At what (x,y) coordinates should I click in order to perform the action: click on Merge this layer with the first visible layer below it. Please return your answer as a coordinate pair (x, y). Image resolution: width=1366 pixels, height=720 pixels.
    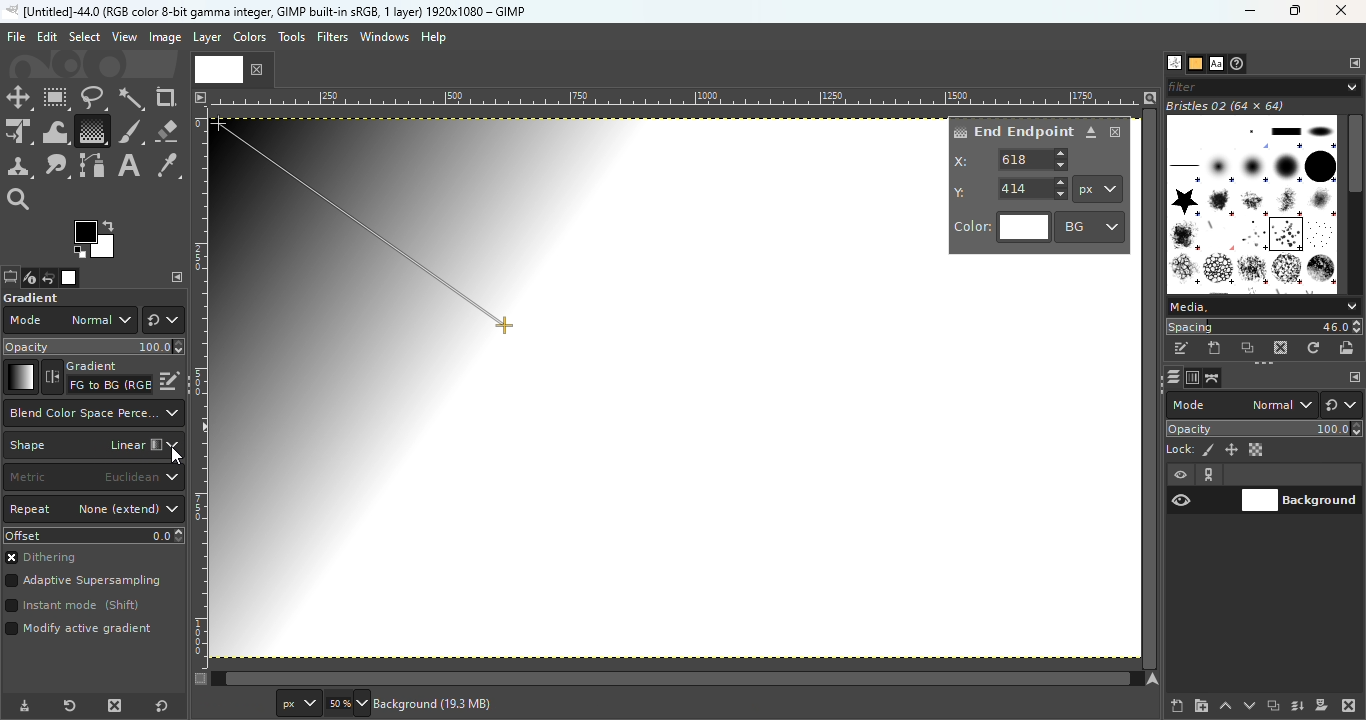
    Looking at the image, I should click on (1298, 706).